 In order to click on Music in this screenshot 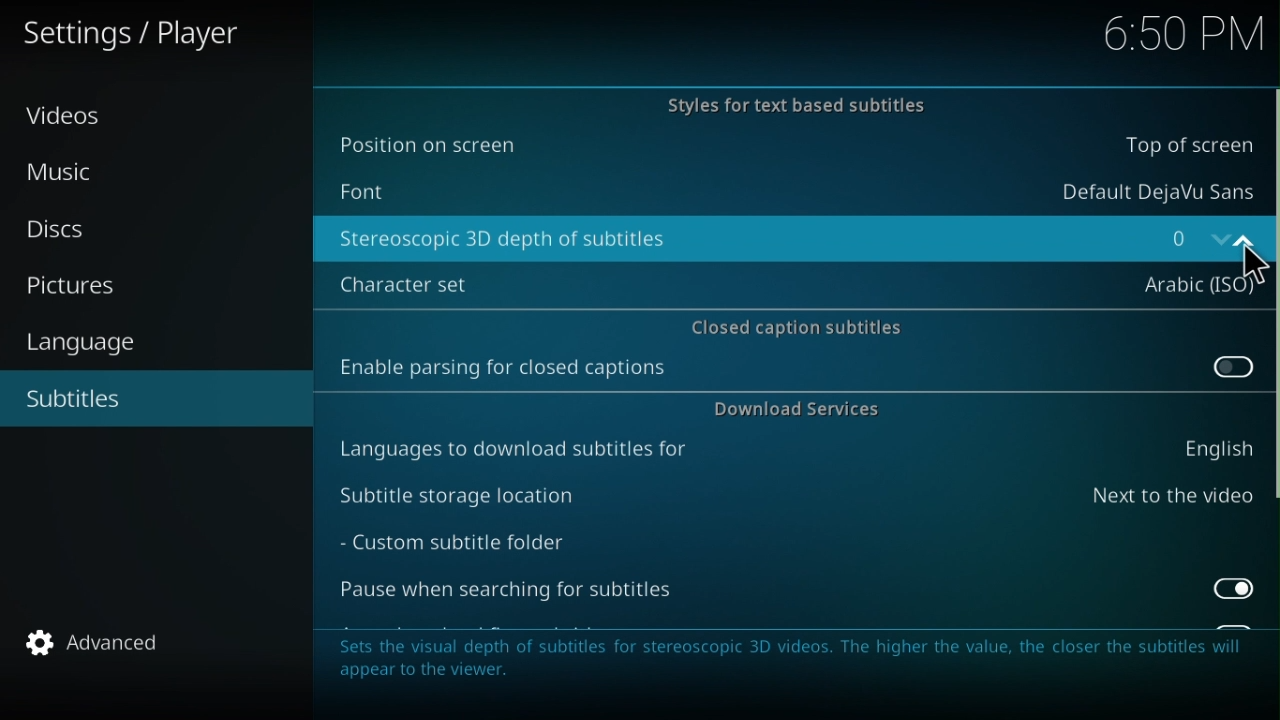, I will do `click(79, 172)`.